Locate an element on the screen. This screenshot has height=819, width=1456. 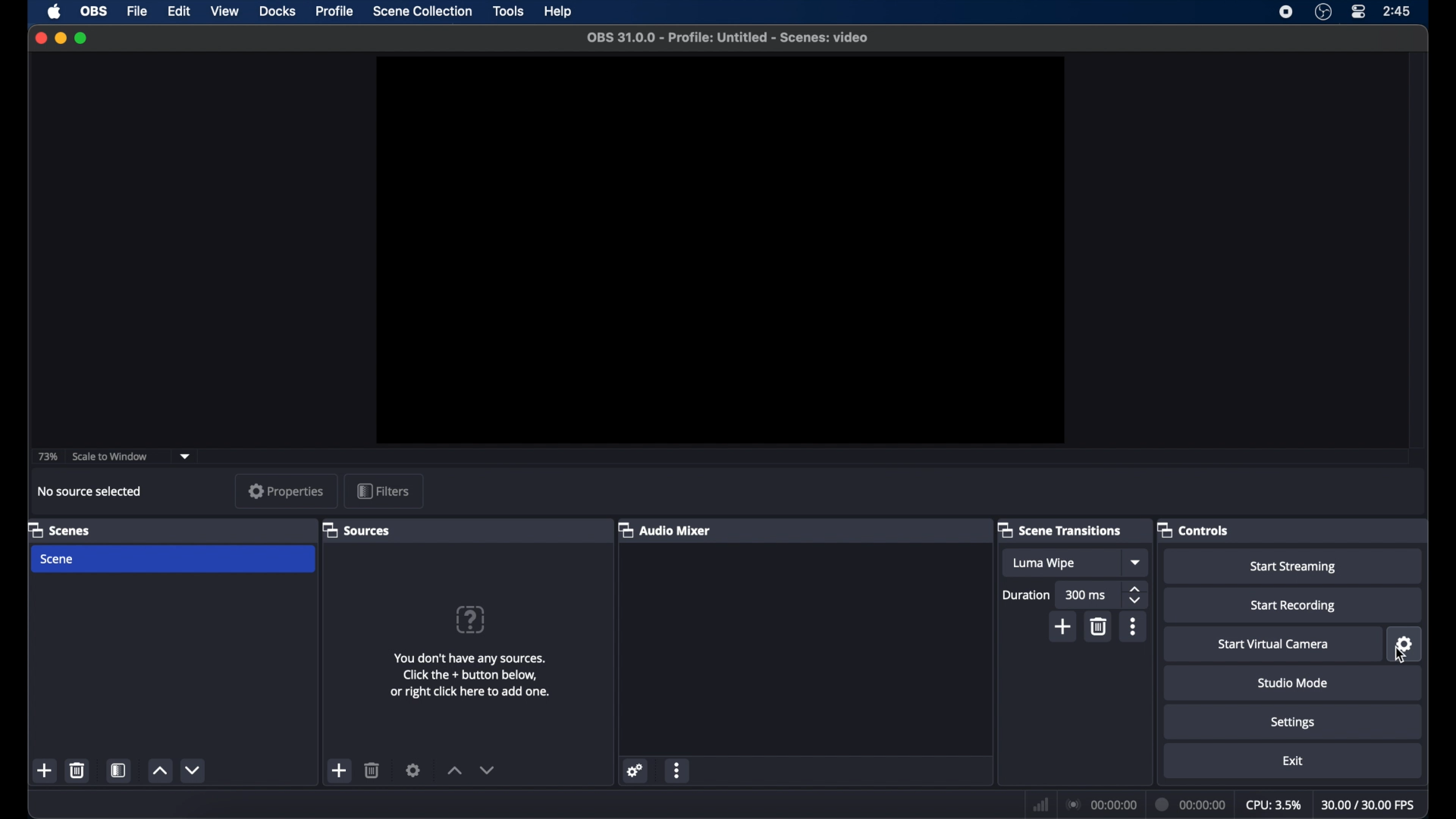
exit is located at coordinates (1293, 761).